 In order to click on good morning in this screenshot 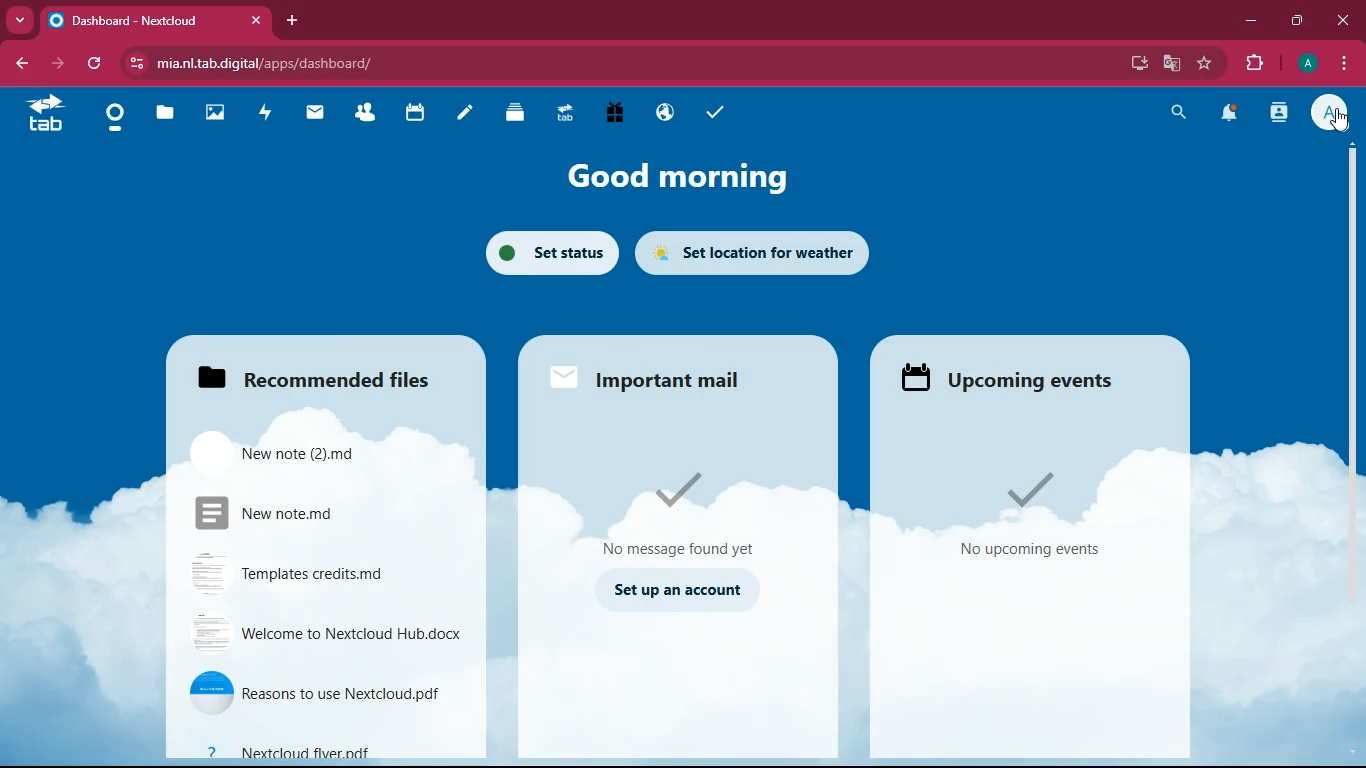, I will do `click(674, 179)`.